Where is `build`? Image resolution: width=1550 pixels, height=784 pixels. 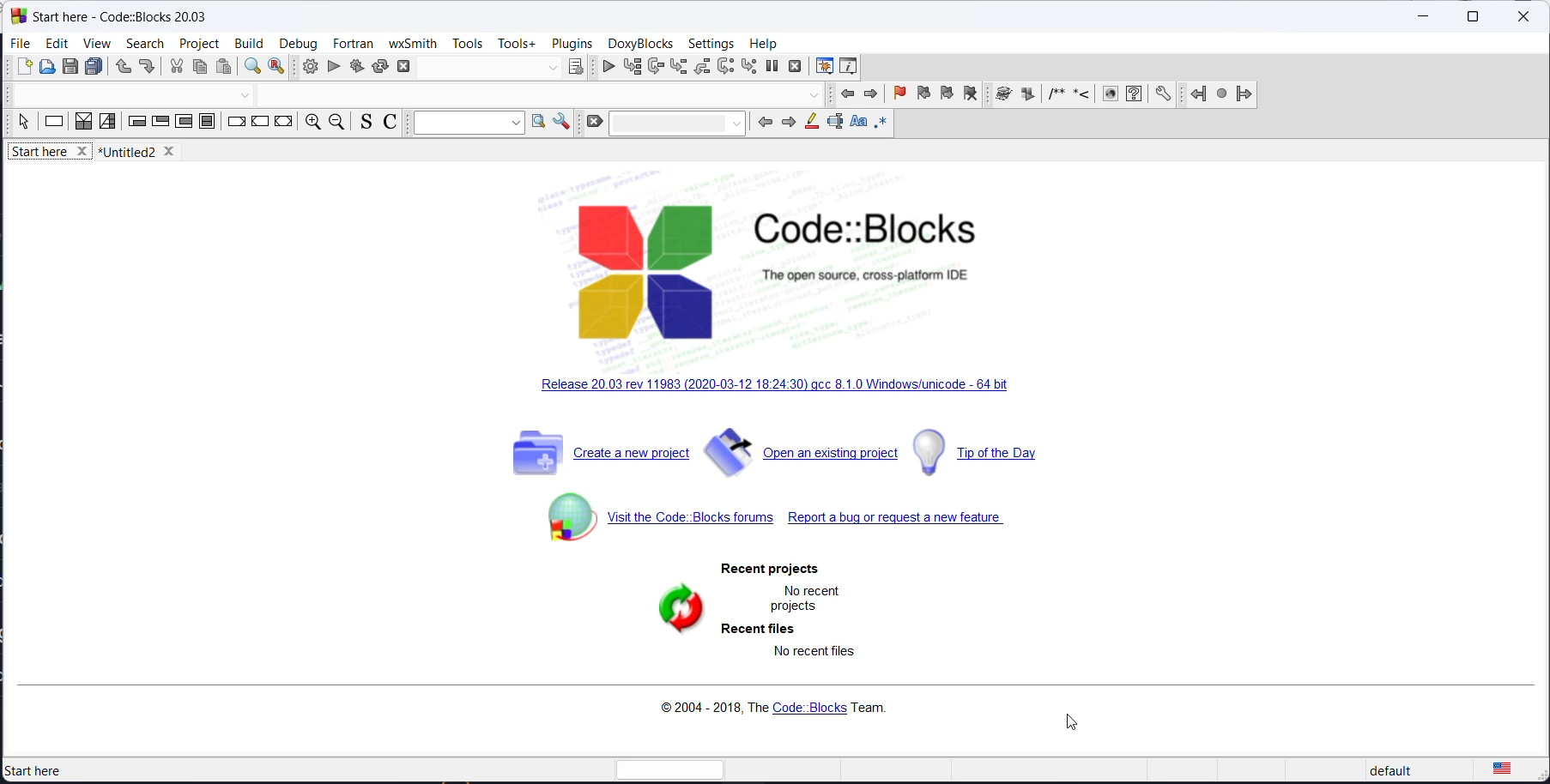 build is located at coordinates (306, 67).